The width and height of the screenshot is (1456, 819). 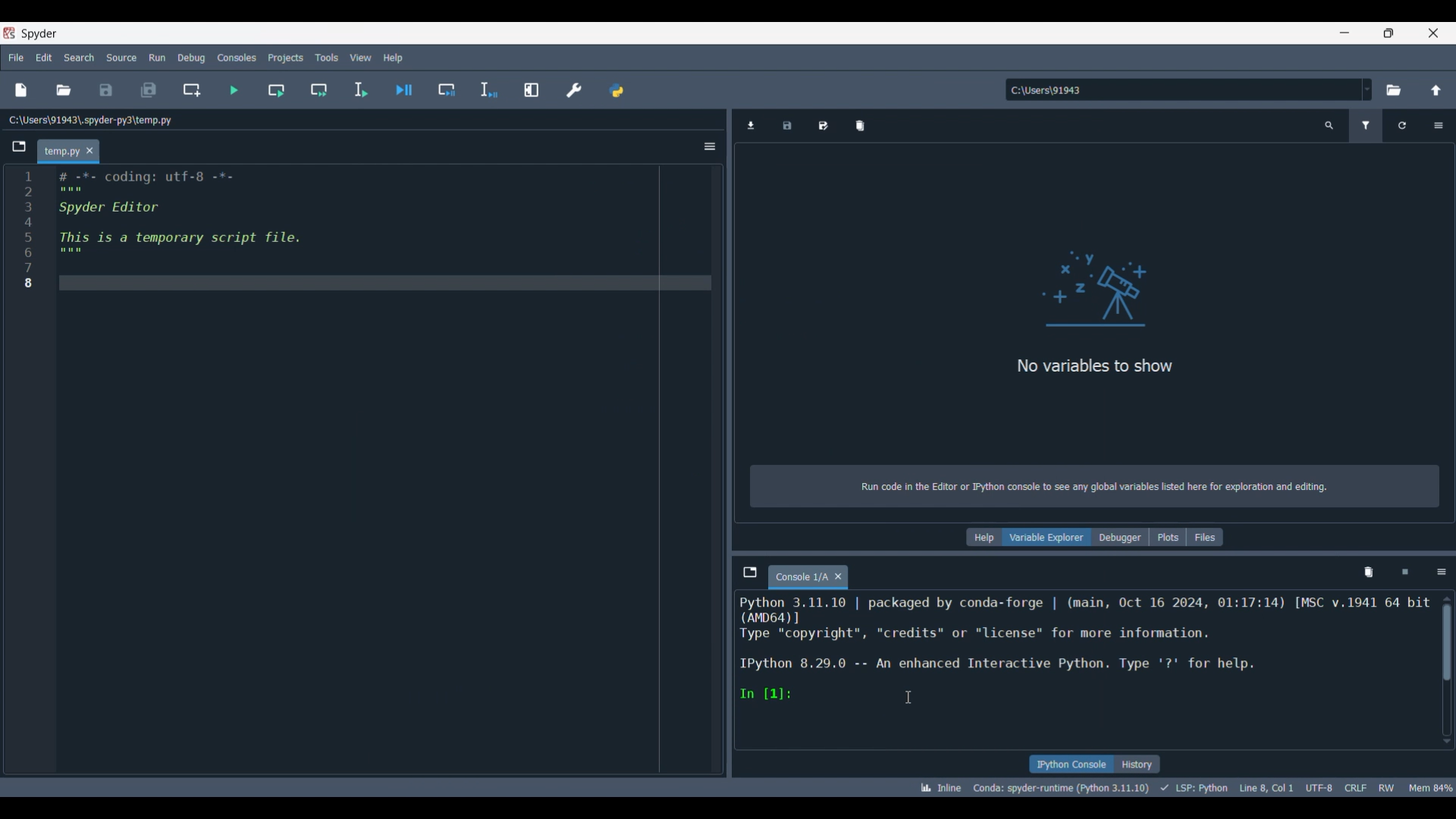 I want to click on Panel logo and text, so click(x=1098, y=377).